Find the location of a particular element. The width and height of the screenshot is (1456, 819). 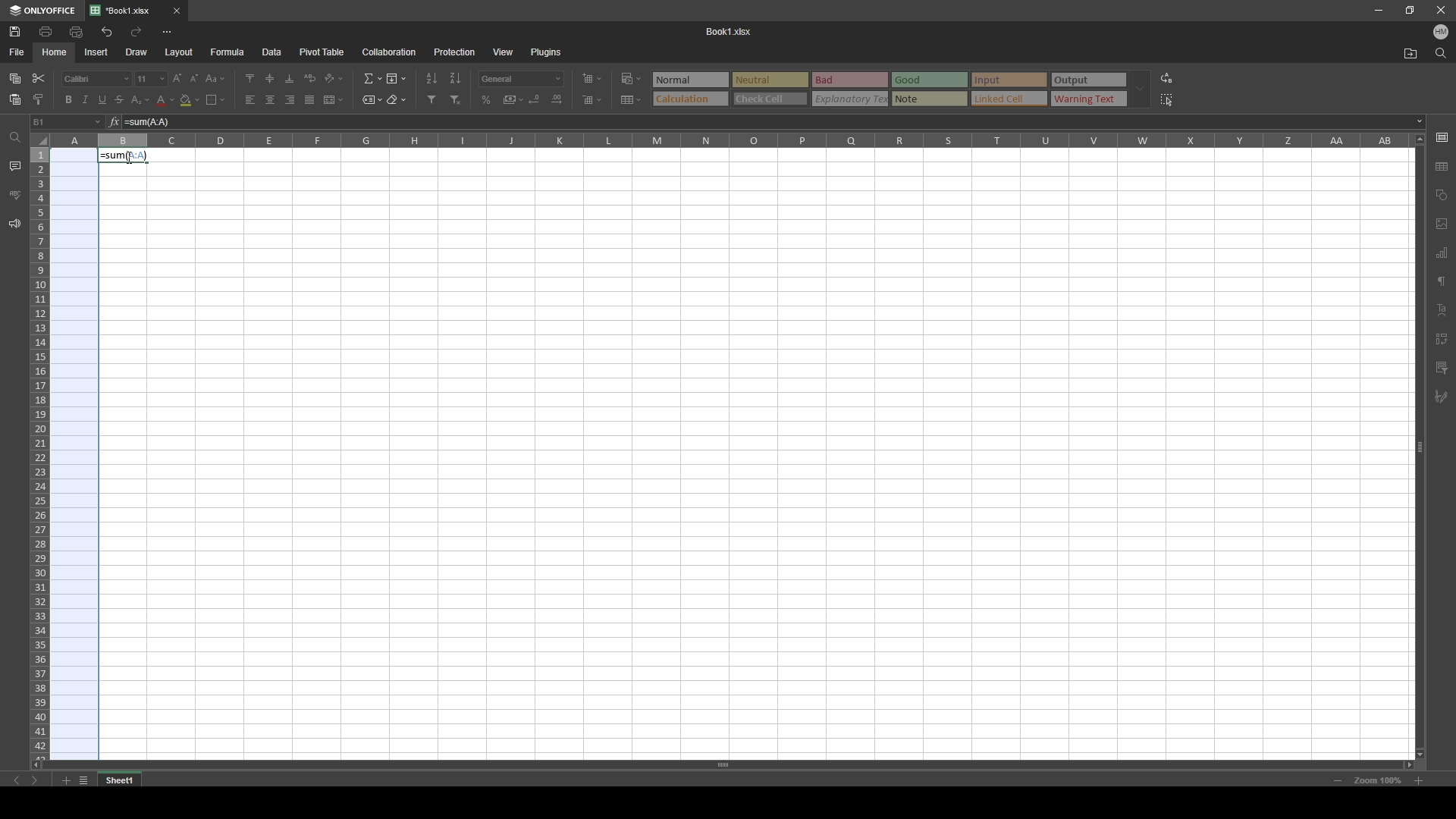

paste is located at coordinates (15, 79).